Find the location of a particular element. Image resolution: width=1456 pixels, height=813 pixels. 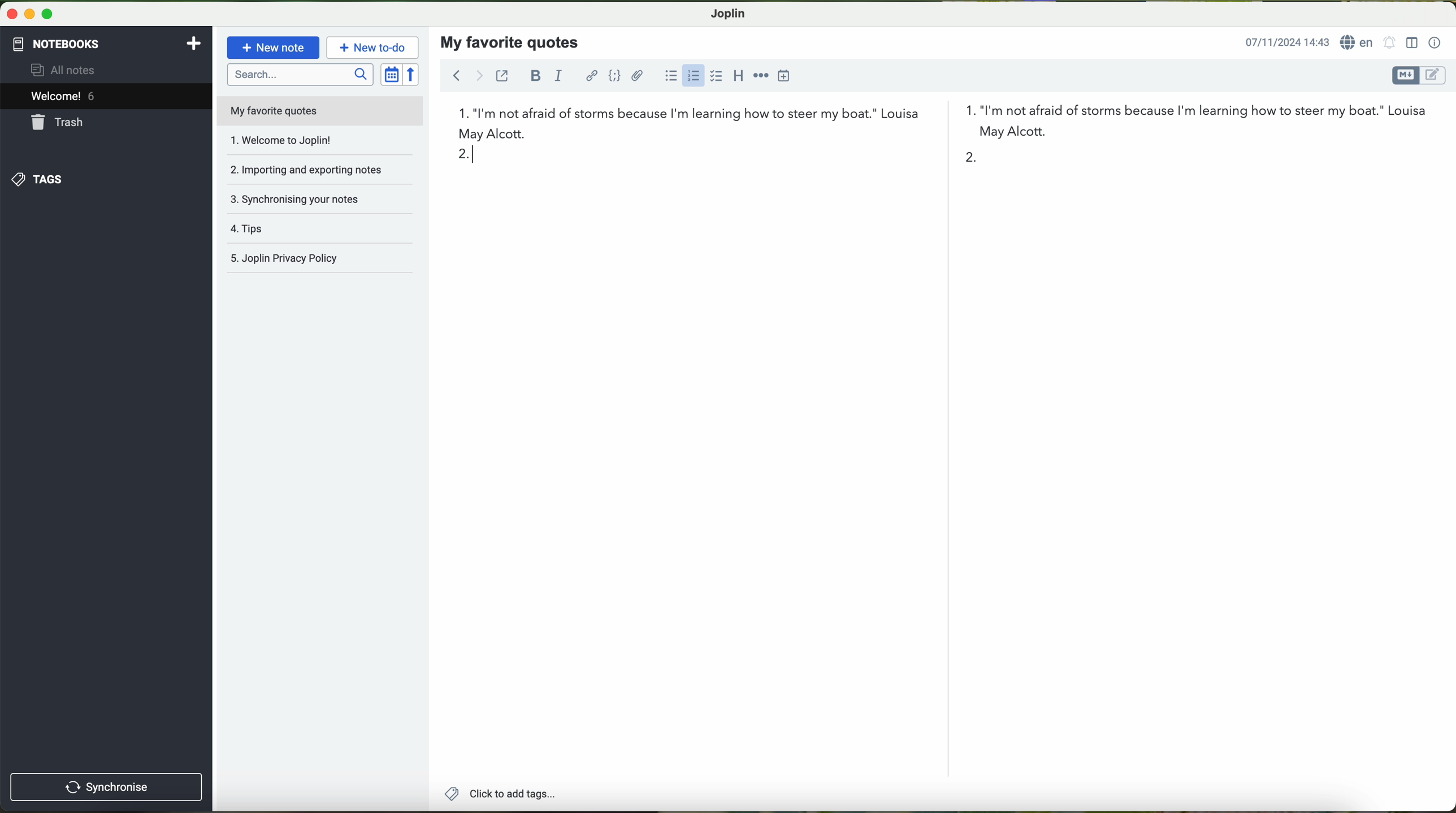

set alarm is located at coordinates (1389, 45).